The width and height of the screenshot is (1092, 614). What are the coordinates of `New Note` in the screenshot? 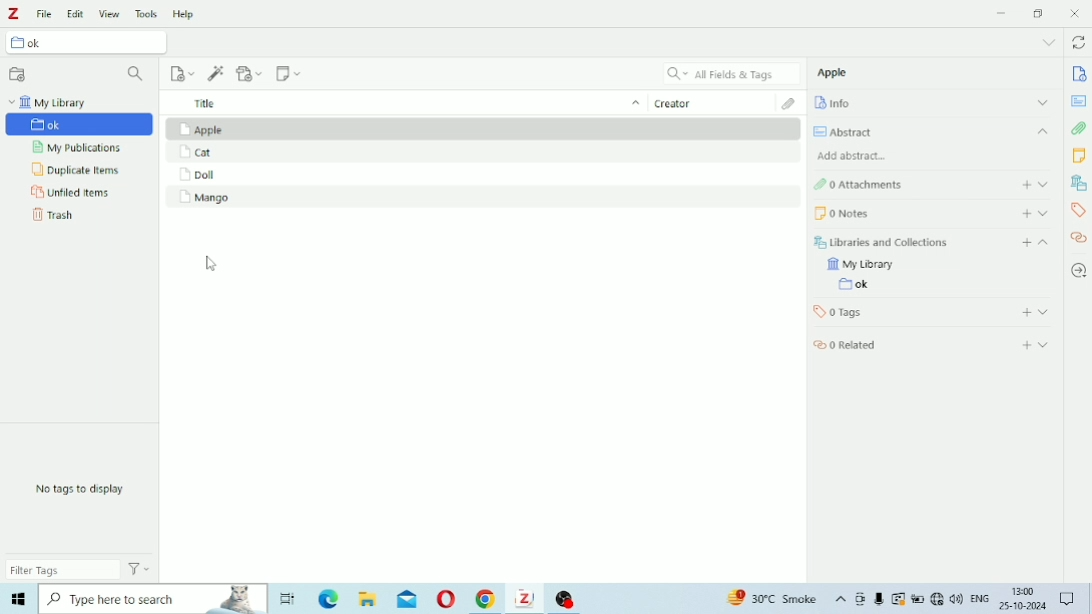 It's located at (289, 72).